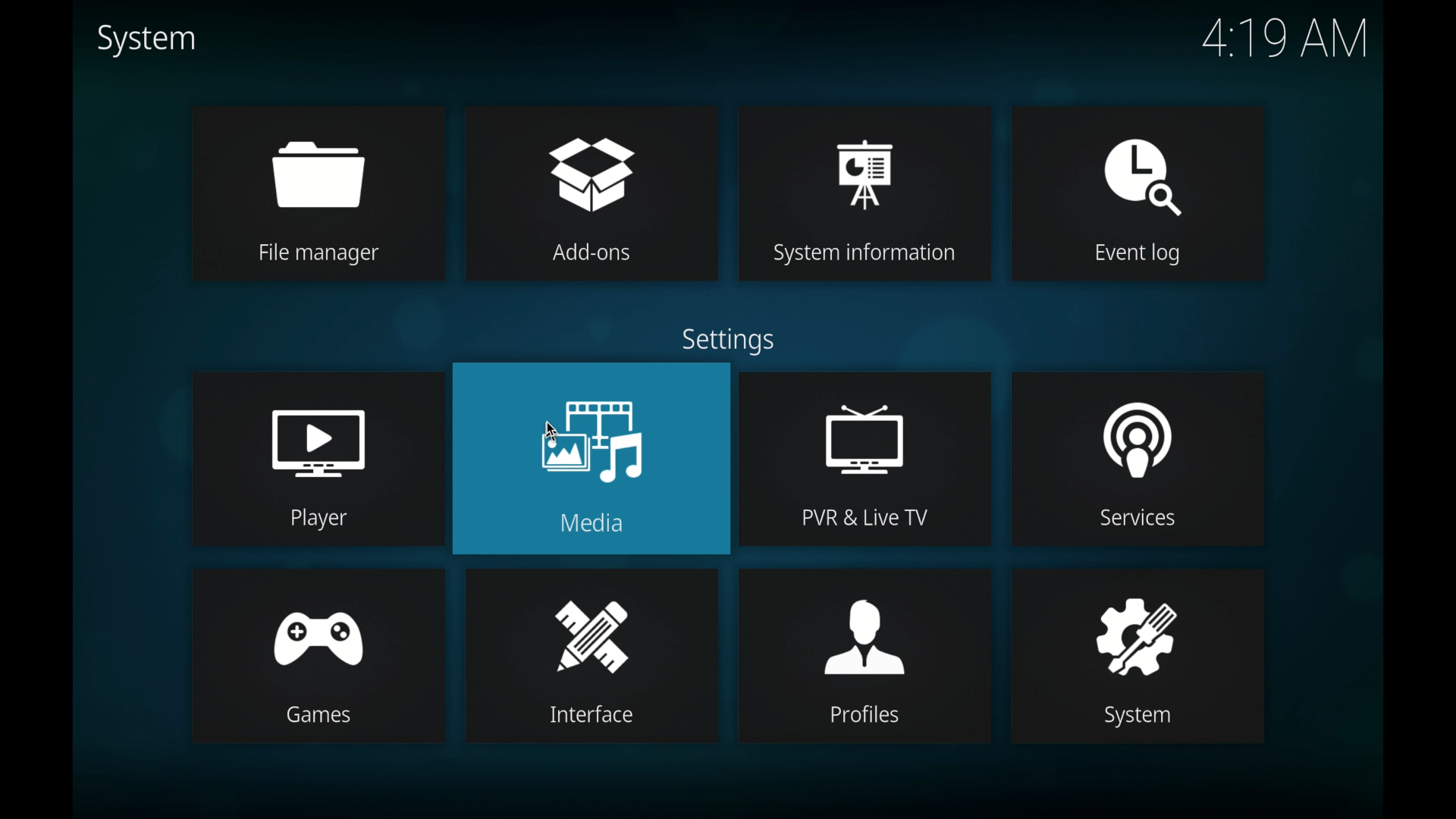 The height and width of the screenshot is (819, 1456). Describe the element at coordinates (866, 460) in the screenshot. I see `pvr and live tv` at that location.